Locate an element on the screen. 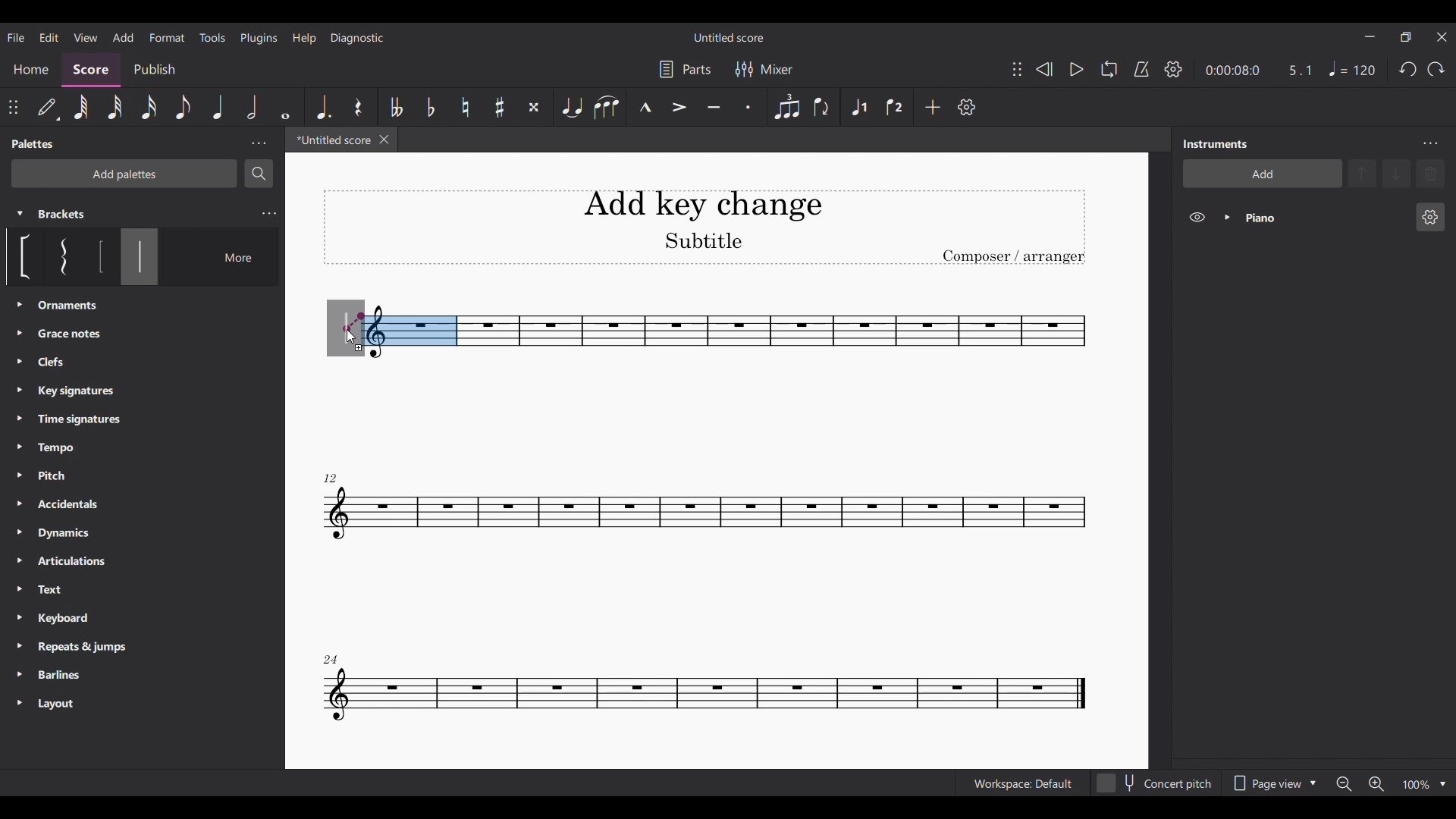 This screenshot has height=819, width=1456. 32nd note is located at coordinates (115, 108).